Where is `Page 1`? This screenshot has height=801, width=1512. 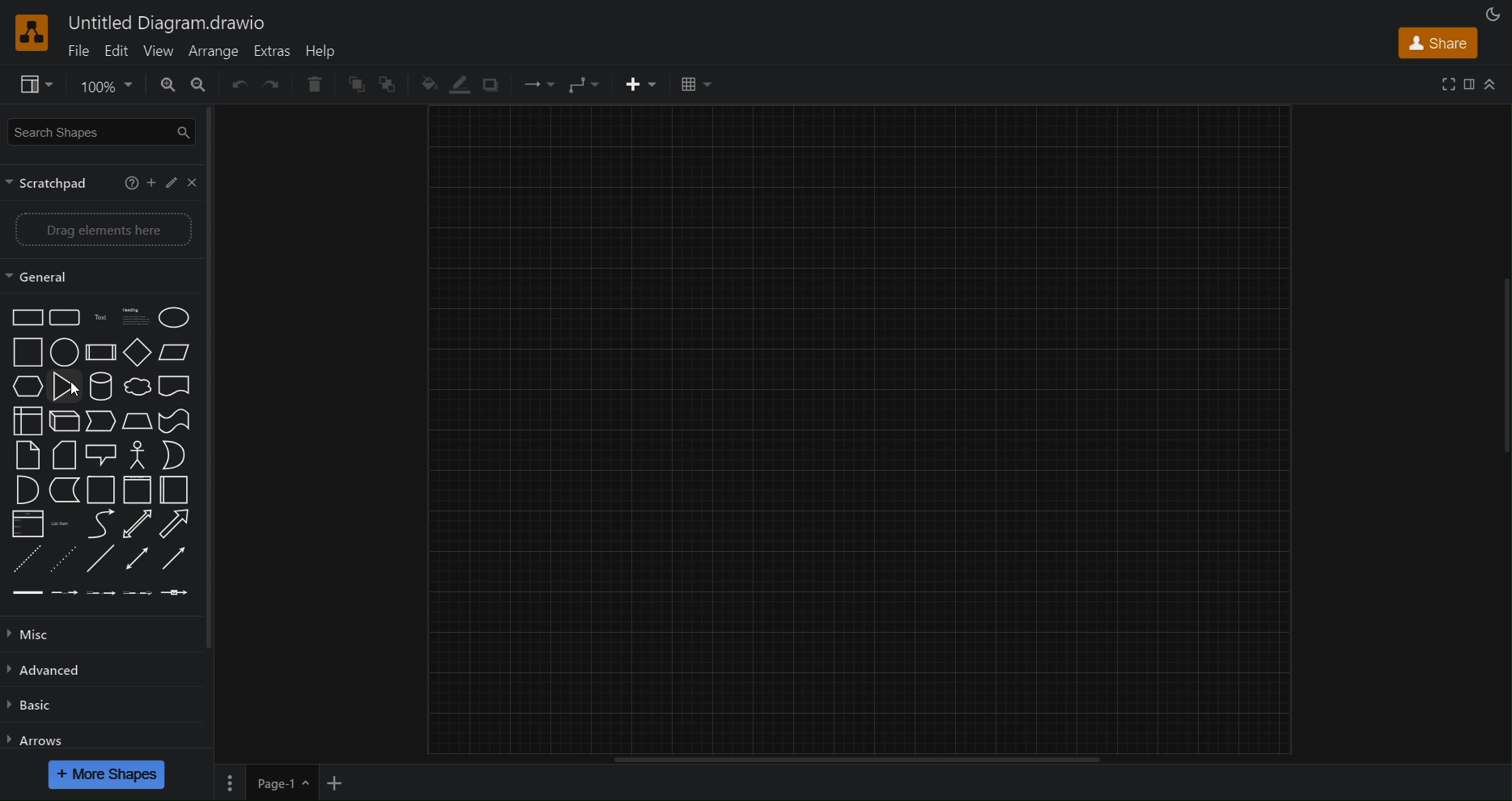
Page 1 is located at coordinates (280, 782).